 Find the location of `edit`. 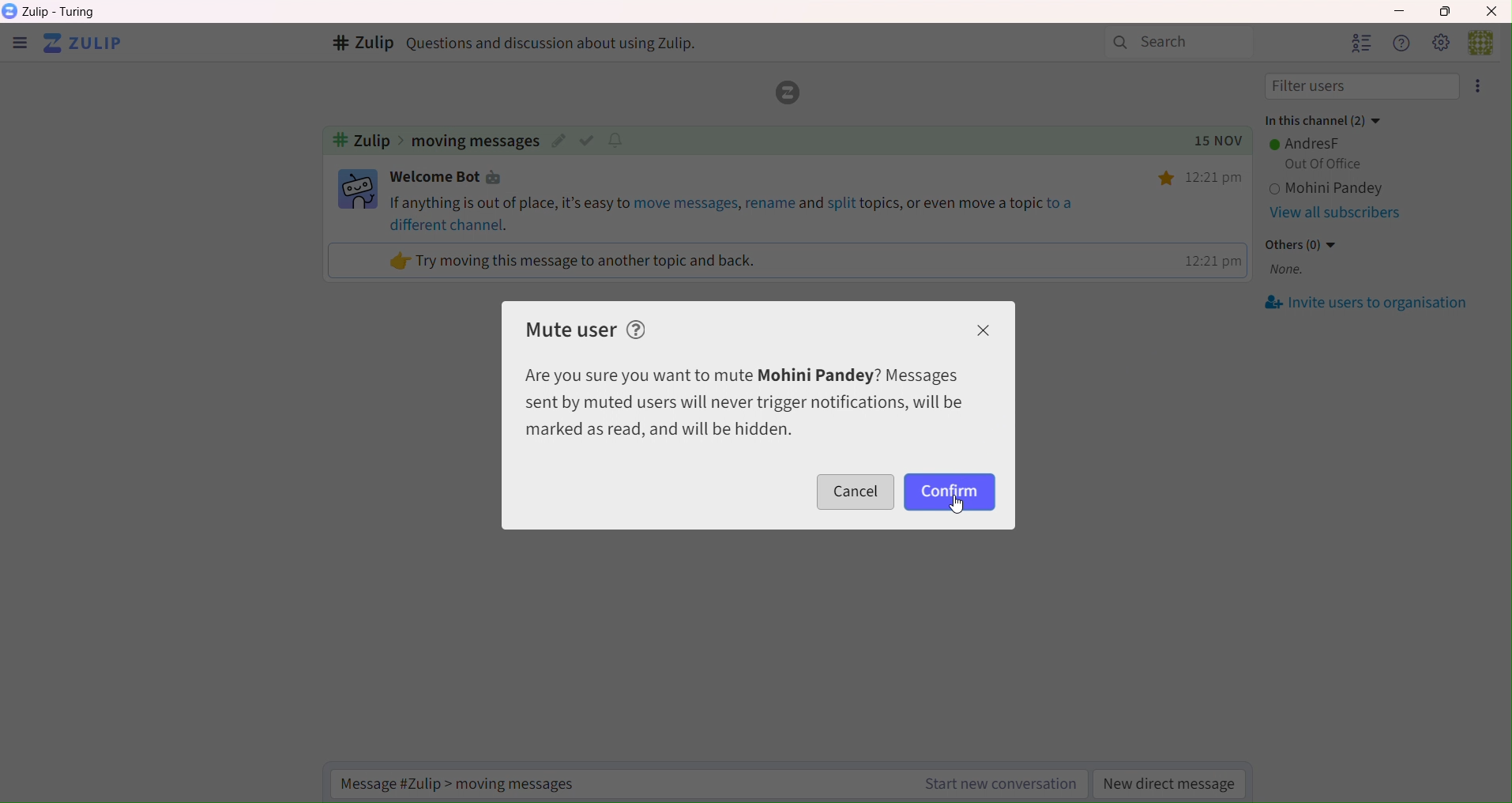

edit is located at coordinates (559, 141).